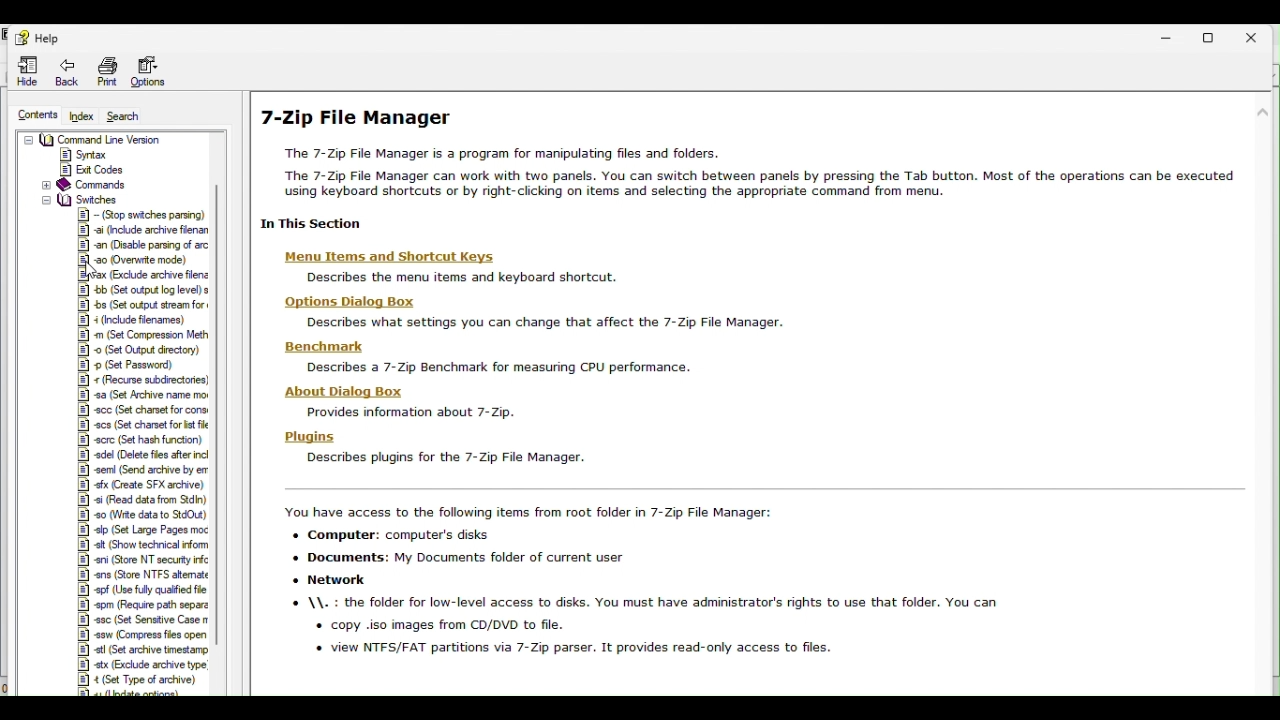 The width and height of the screenshot is (1280, 720). I want to click on Minimise , so click(1171, 35).